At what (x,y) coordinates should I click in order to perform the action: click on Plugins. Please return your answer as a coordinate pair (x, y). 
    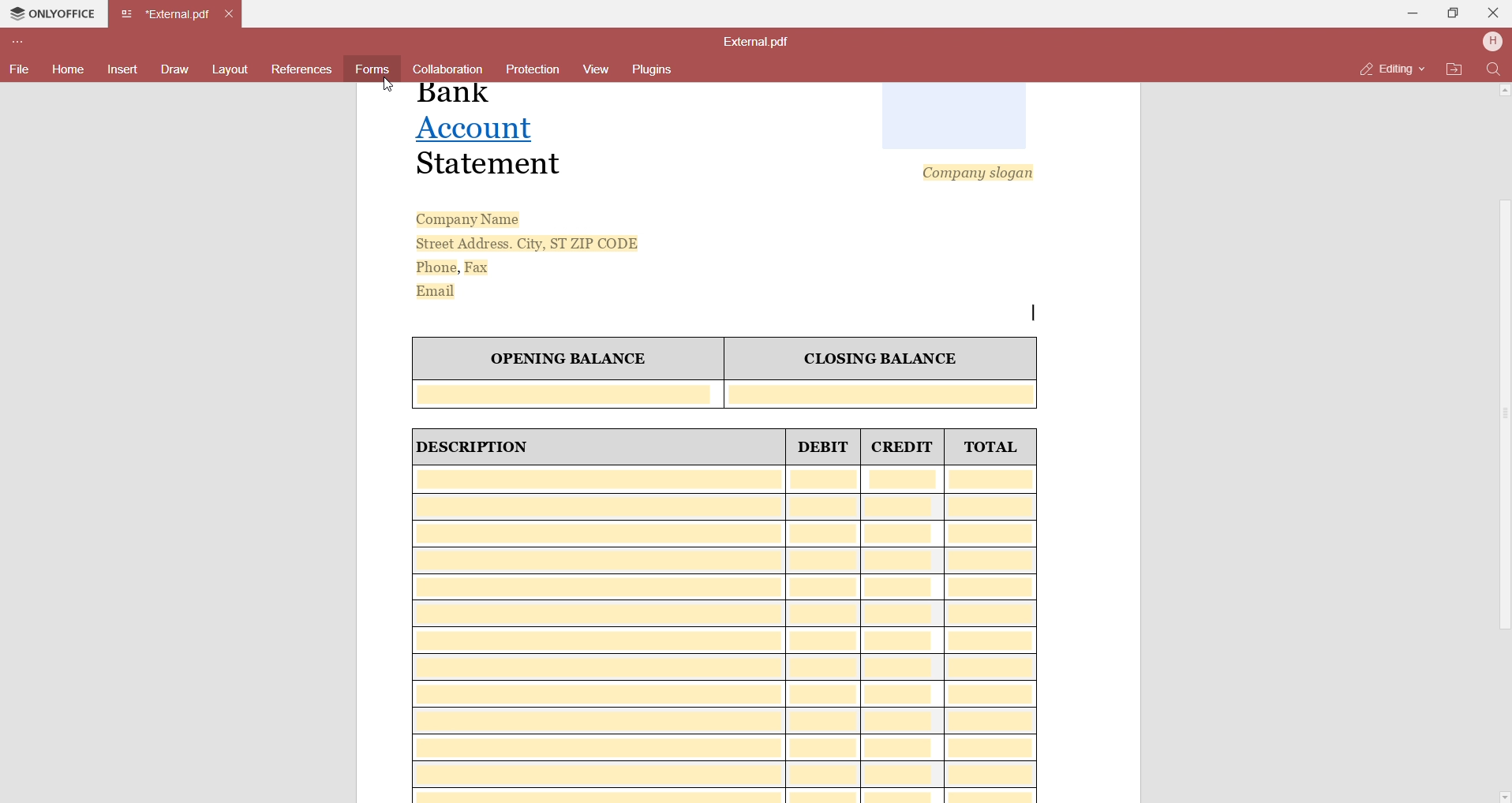
    Looking at the image, I should click on (658, 69).